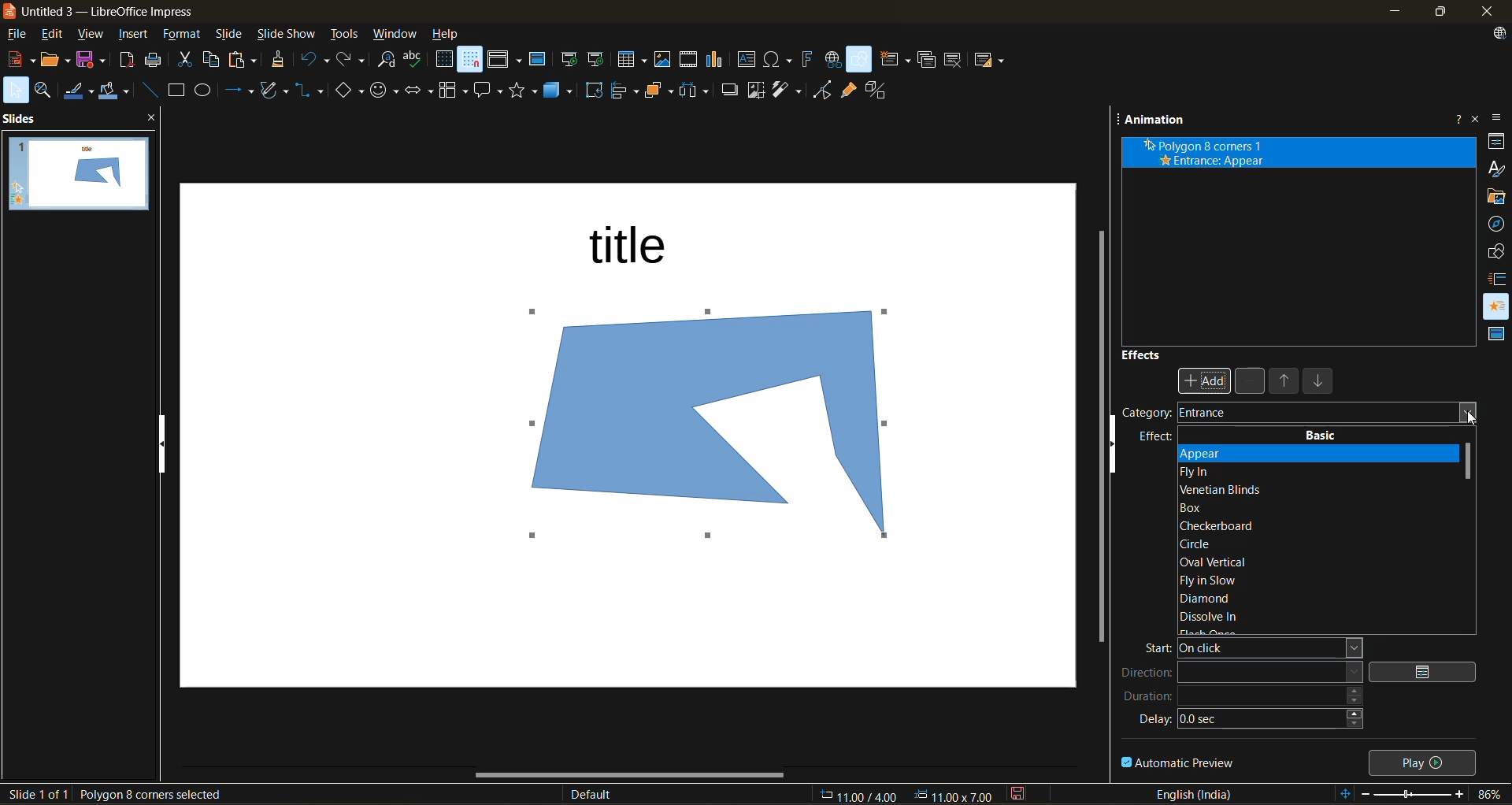  Describe the element at coordinates (598, 61) in the screenshot. I see `start from current slide` at that location.